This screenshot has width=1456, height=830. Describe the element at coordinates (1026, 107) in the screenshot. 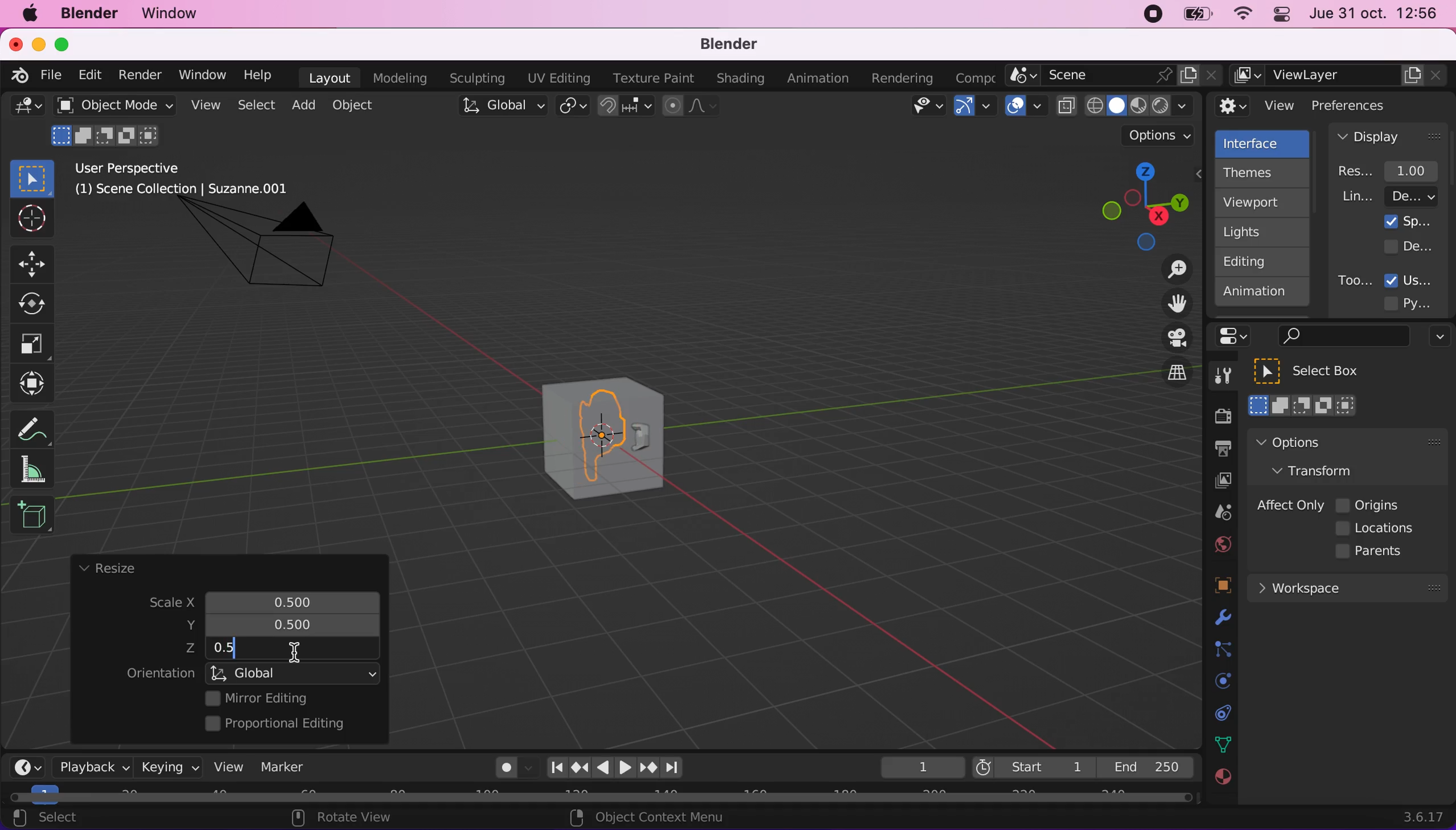

I see `overlays` at that location.